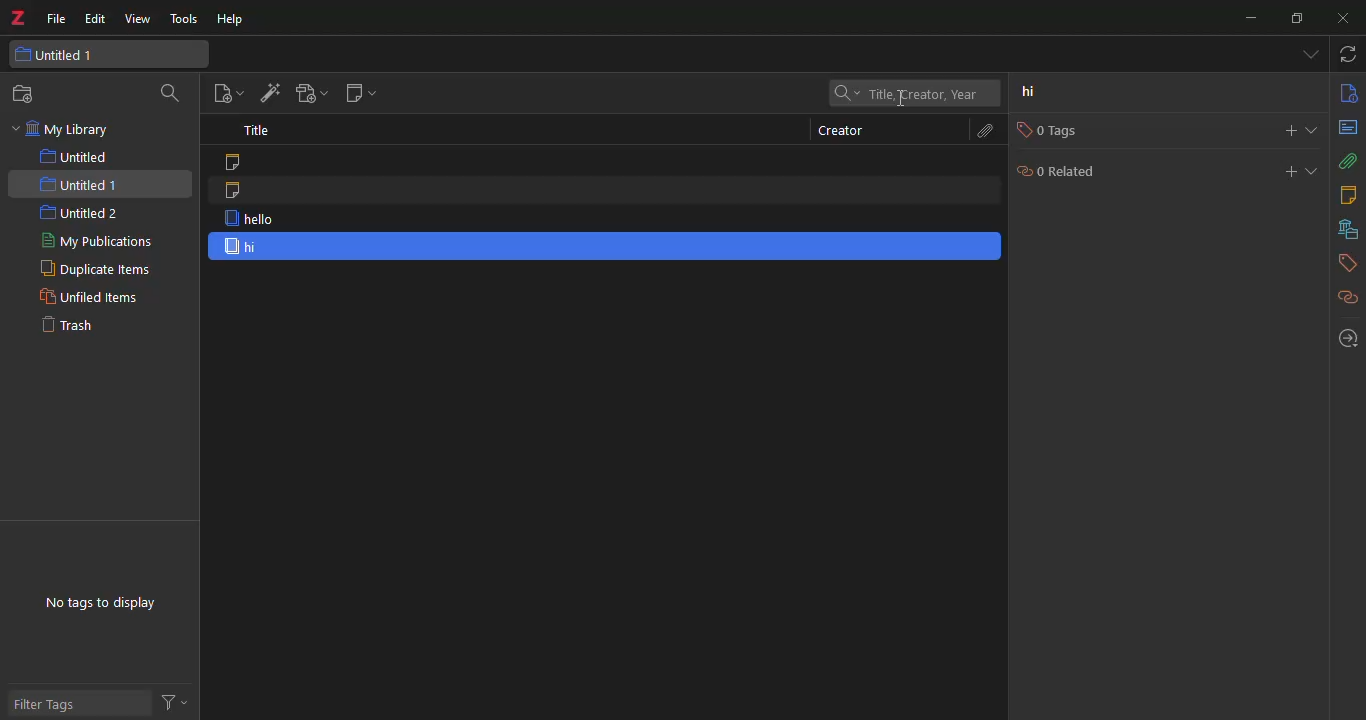 Image resolution: width=1366 pixels, height=720 pixels. I want to click on close, so click(1347, 16).